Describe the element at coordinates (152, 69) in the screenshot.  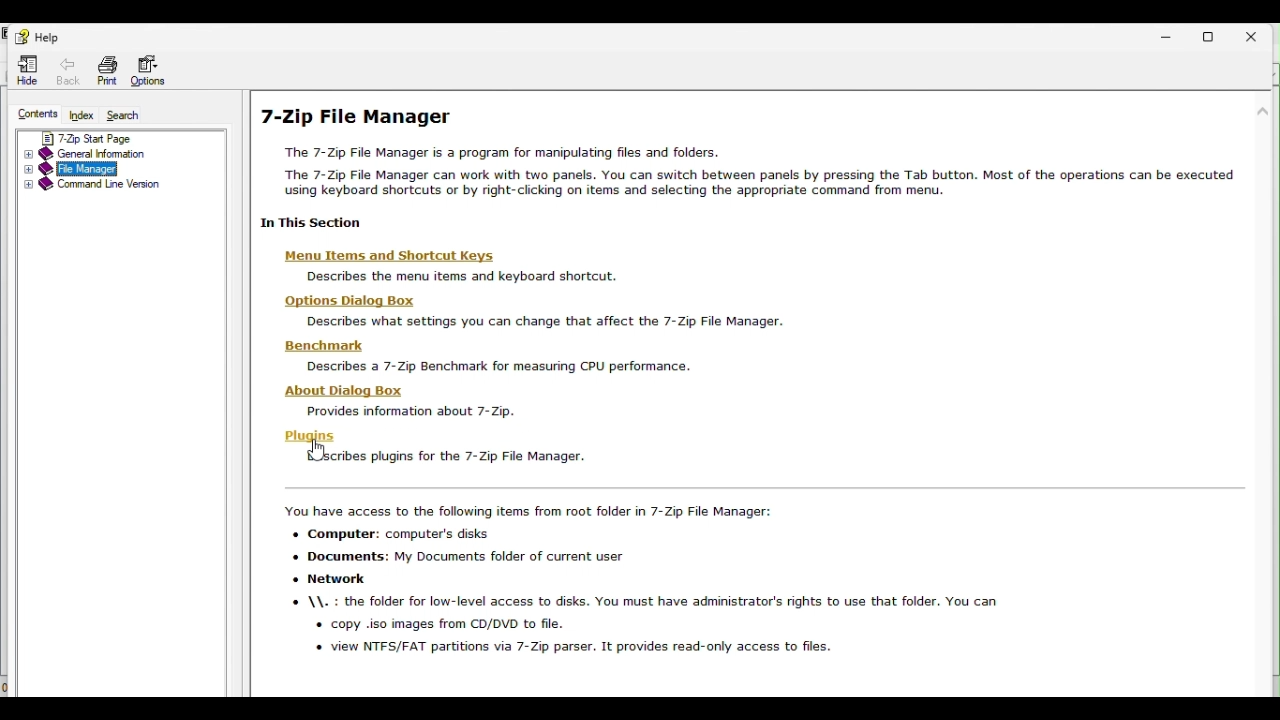
I see `Options` at that location.